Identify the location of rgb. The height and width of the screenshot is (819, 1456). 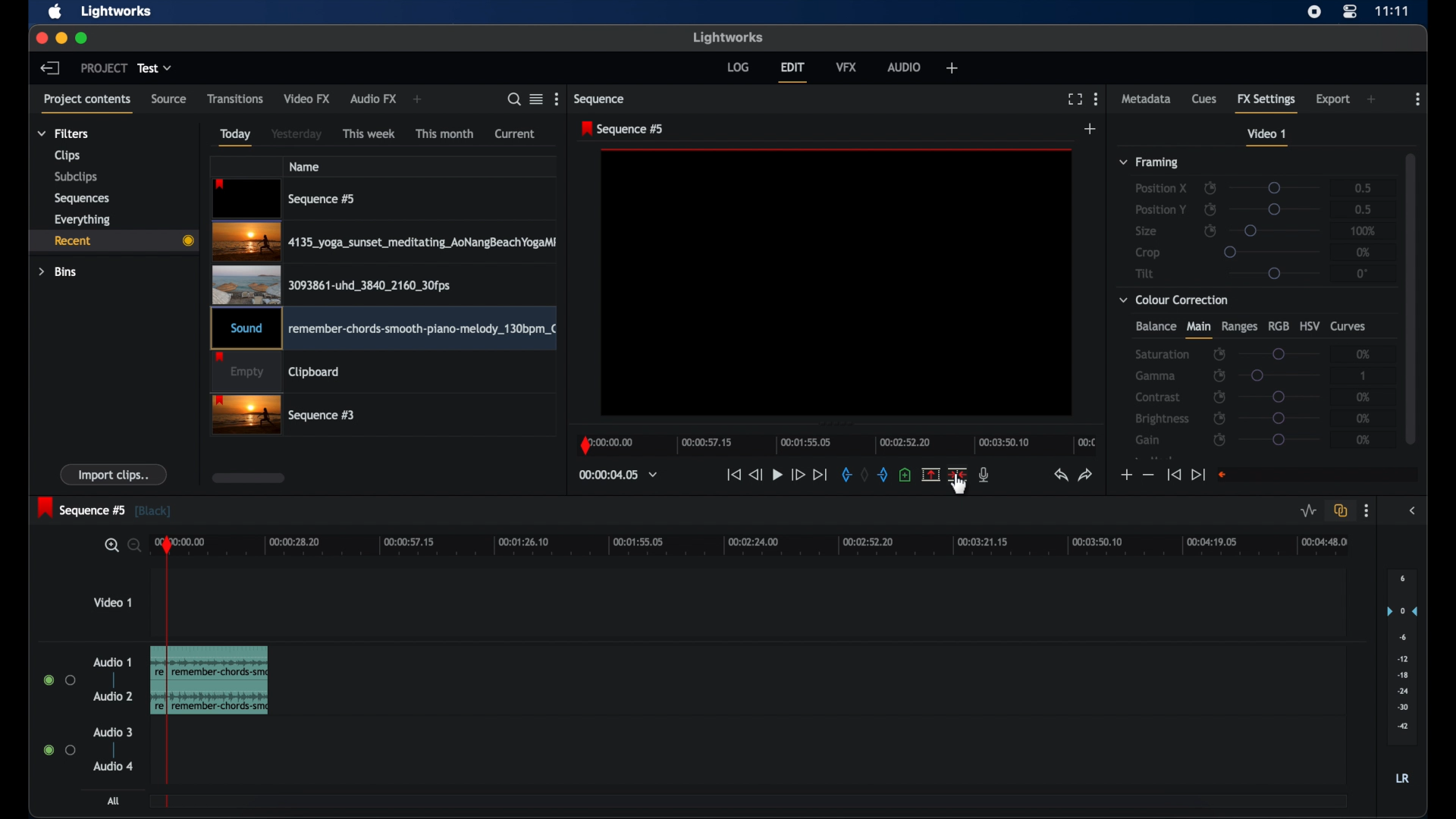
(1278, 326).